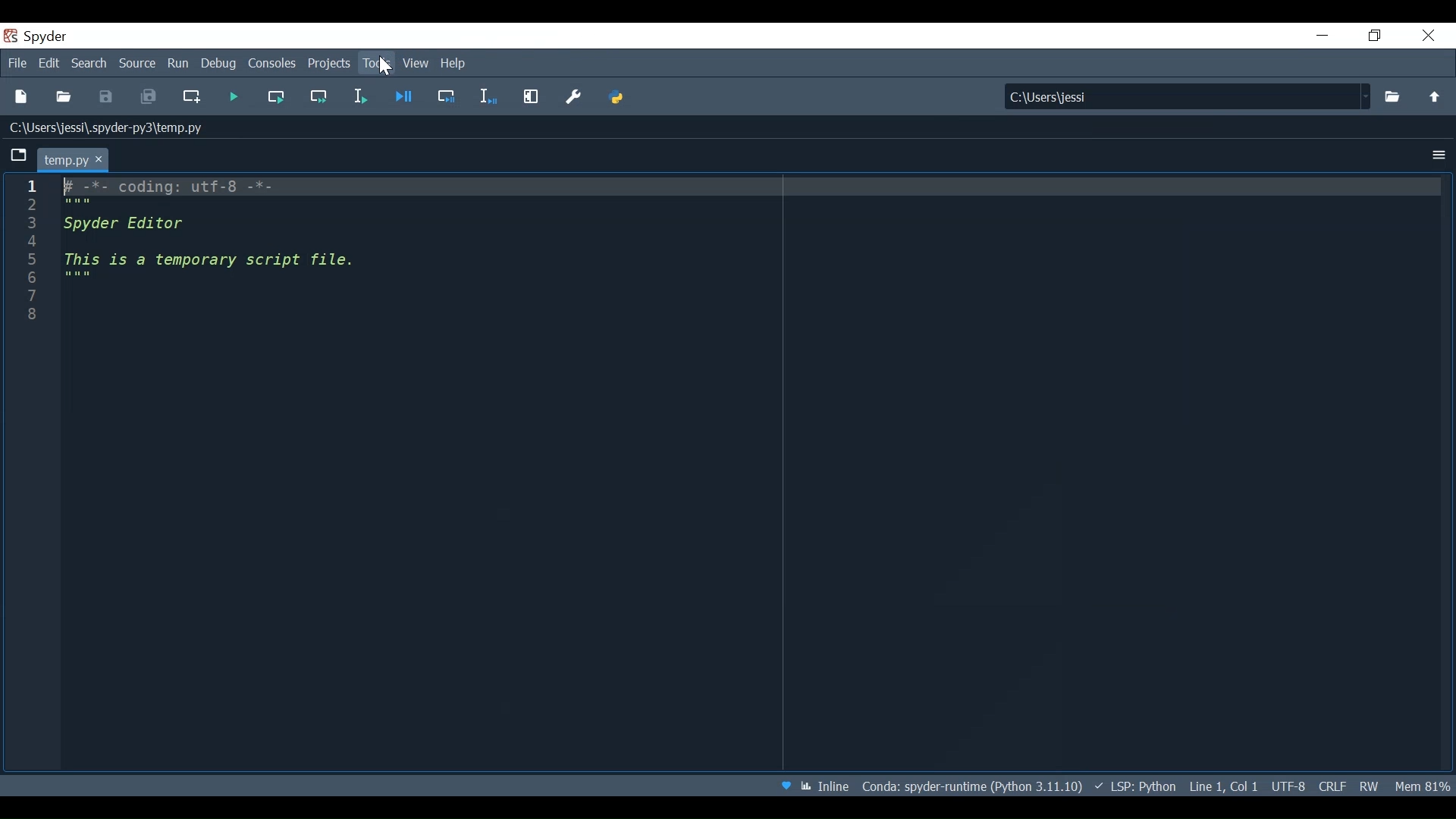 This screenshot has width=1456, height=819. Describe the element at coordinates (571, 98) in the screenshot. I see `Preference` at that location.